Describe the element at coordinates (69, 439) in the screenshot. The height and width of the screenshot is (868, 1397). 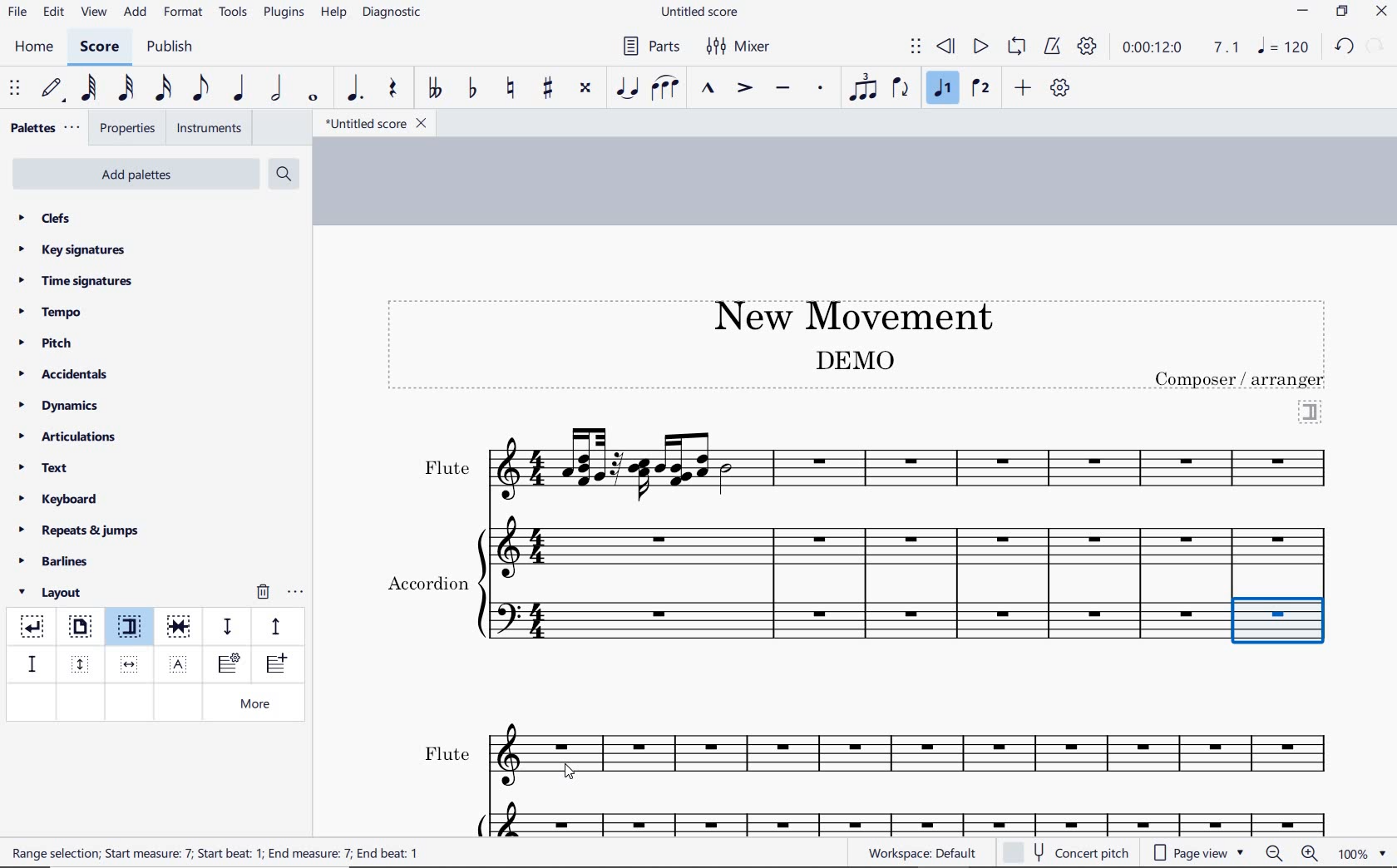
I see `articulations` at that location.